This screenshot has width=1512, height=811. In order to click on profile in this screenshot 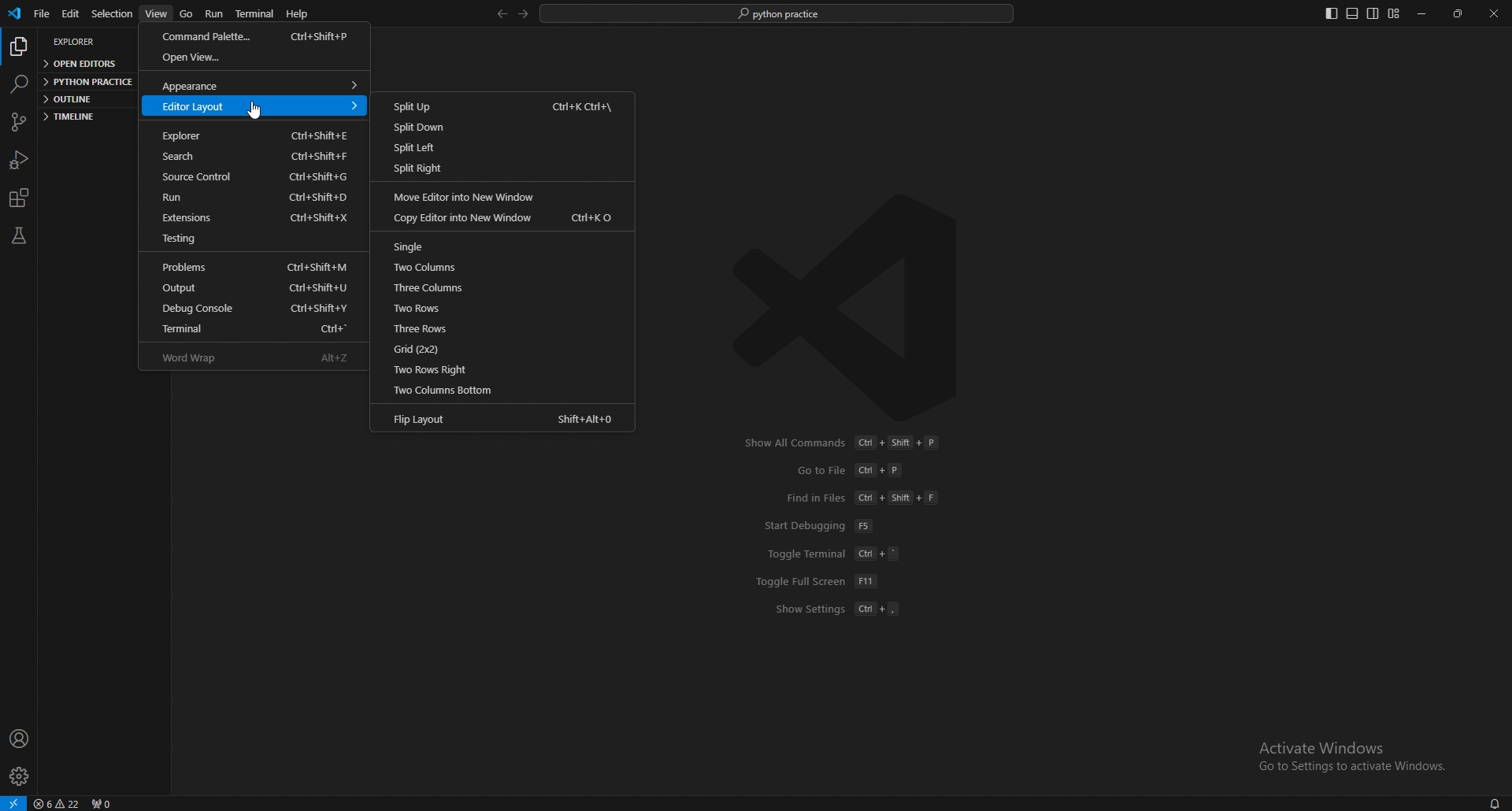, I will do `click(21, 739)`.